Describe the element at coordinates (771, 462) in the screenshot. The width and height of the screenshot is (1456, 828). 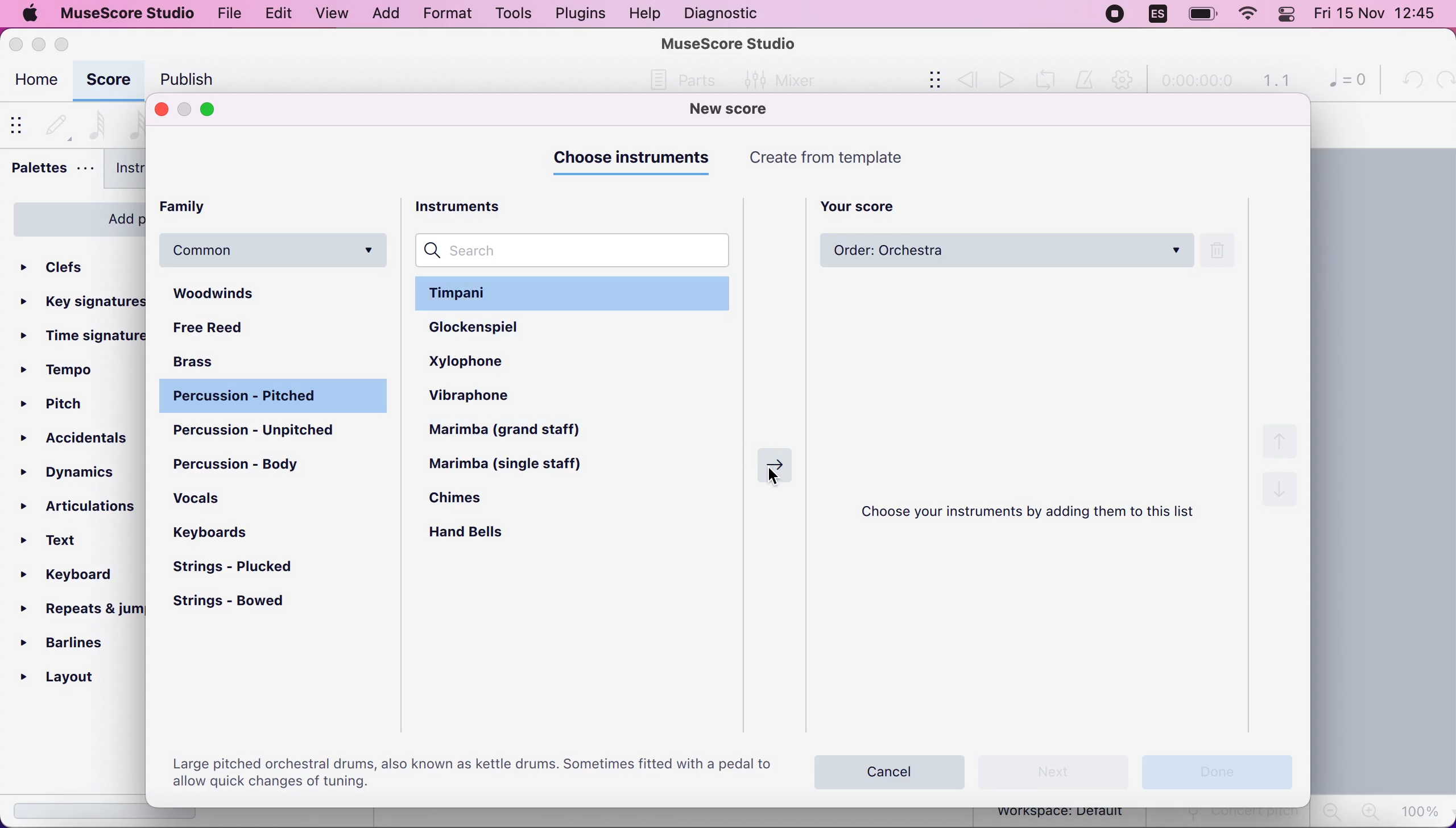
I see `Right` at that location.